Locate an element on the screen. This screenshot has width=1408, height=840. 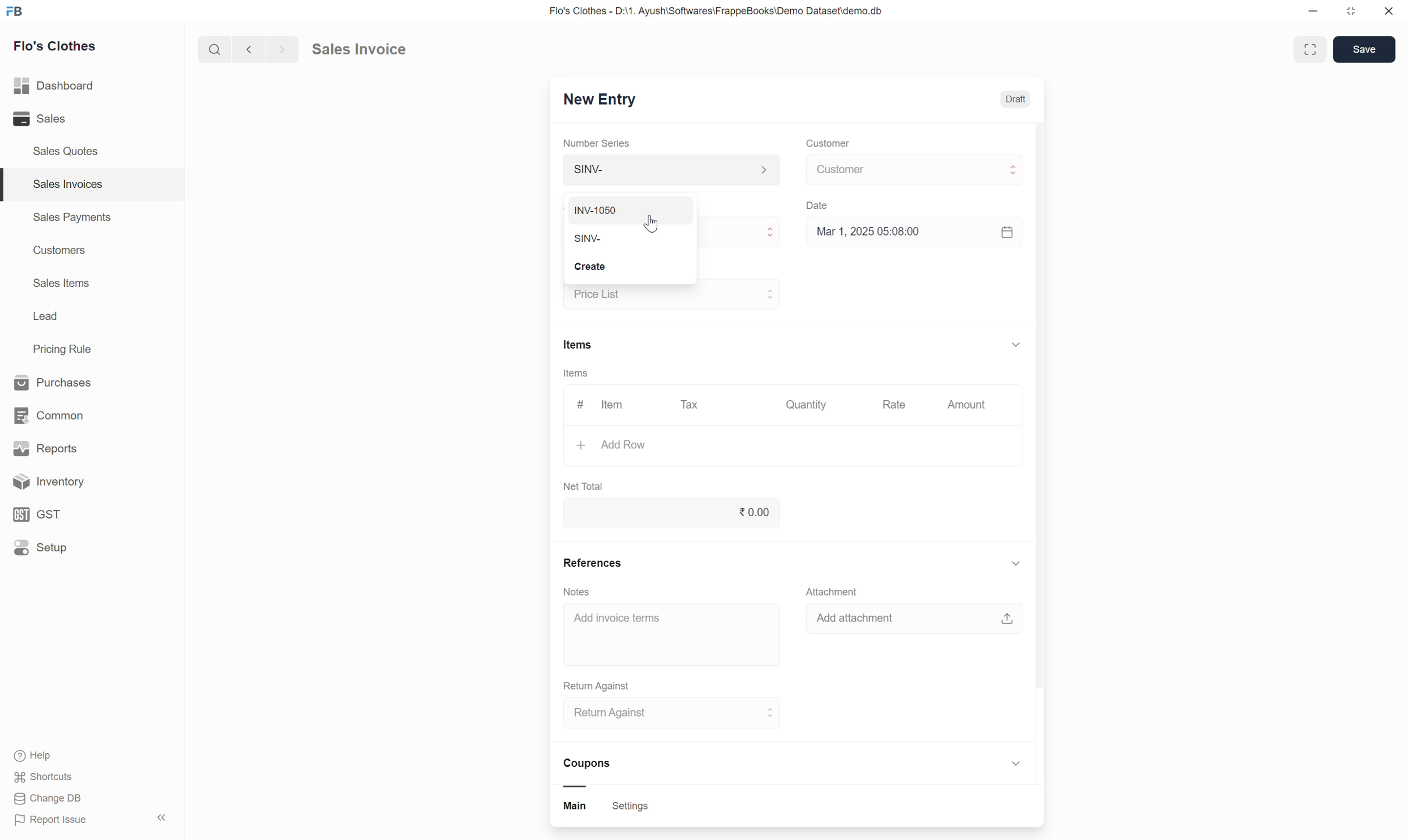
select SINV-  is located at coordinates (675, 235).